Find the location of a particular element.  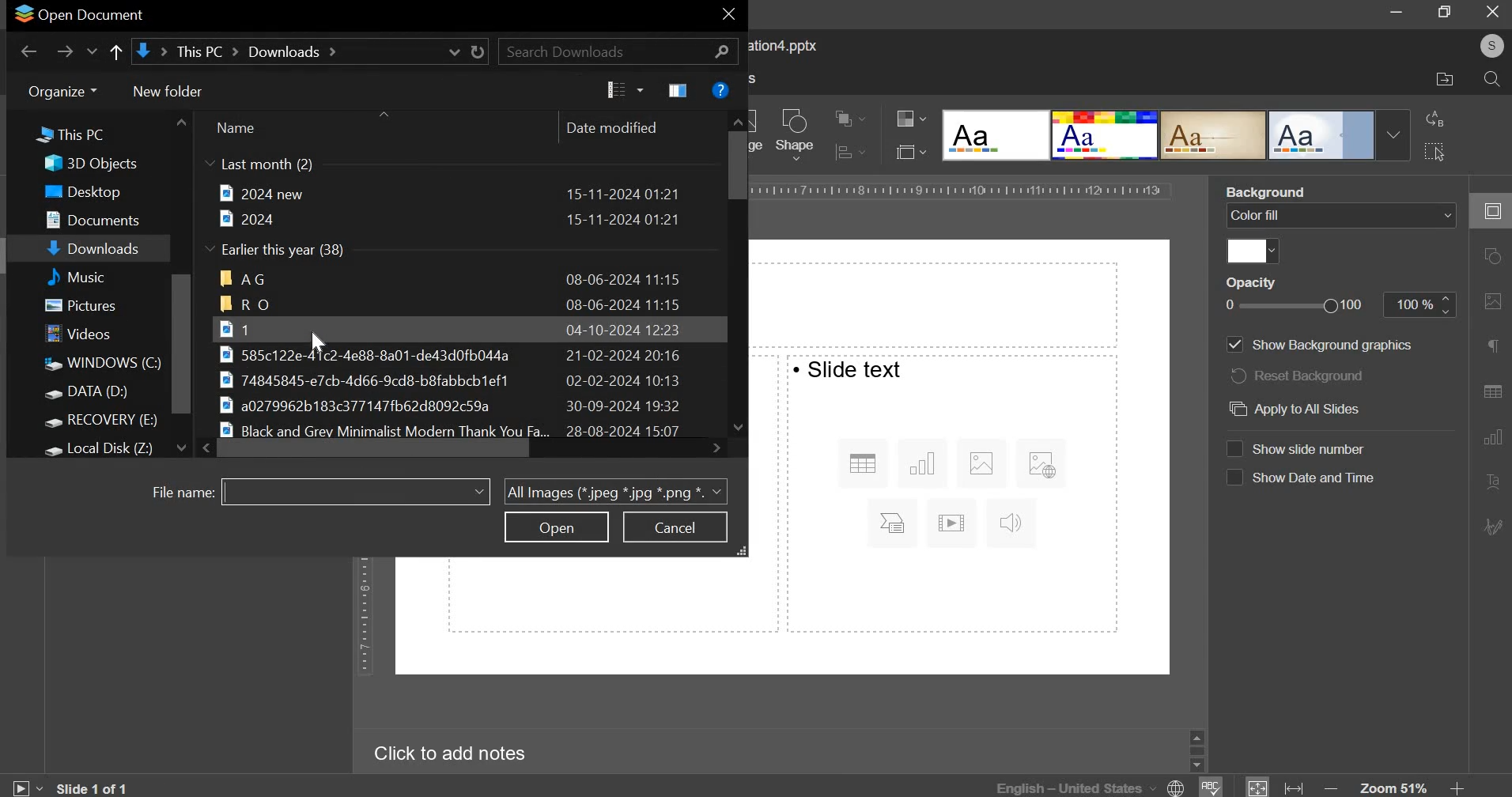

select is located at coordinates (1434, 150).